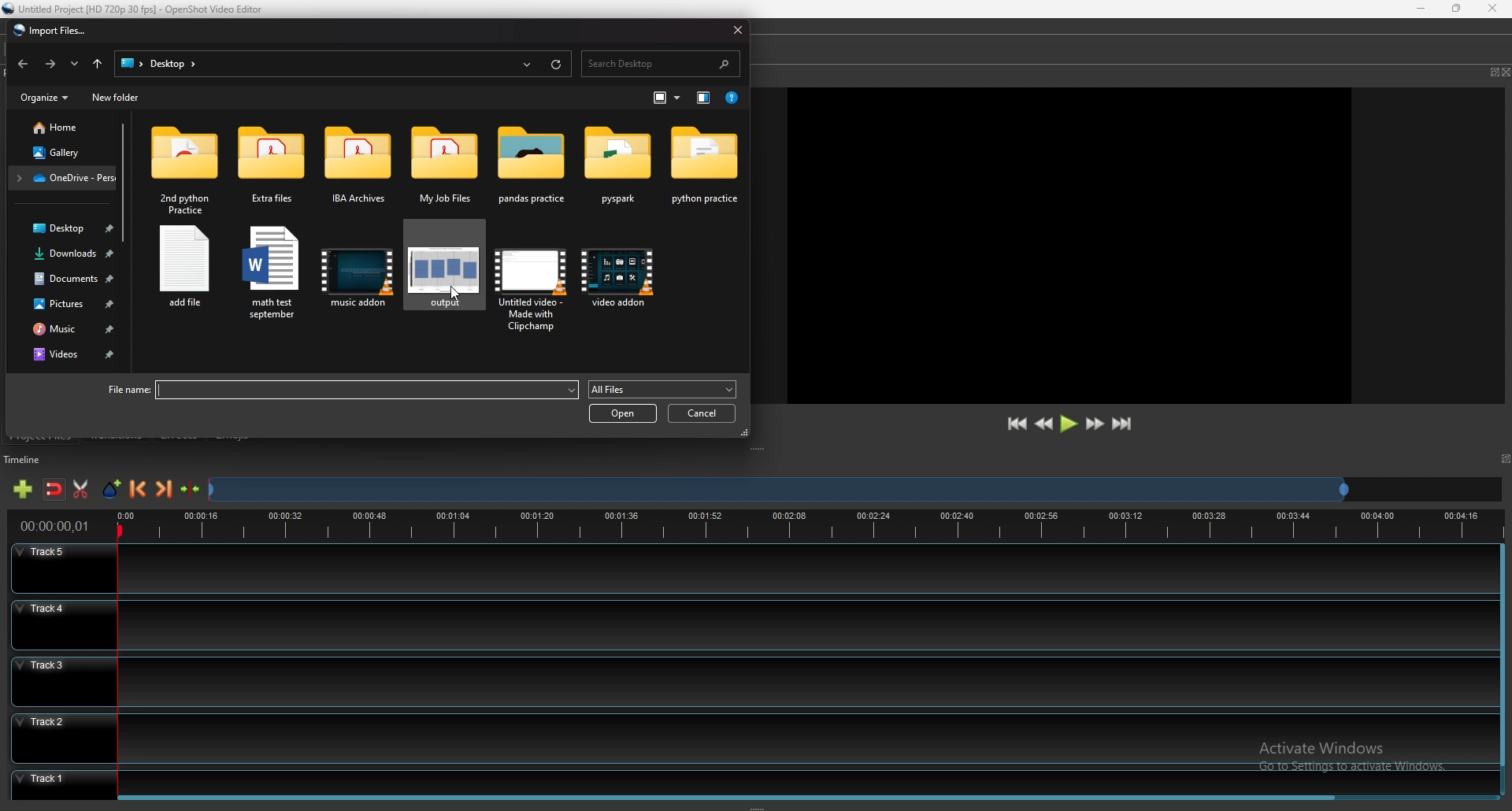 The height and width of the screenshot is (811, 1512). I want to click on minimize, so click(1423, 9).